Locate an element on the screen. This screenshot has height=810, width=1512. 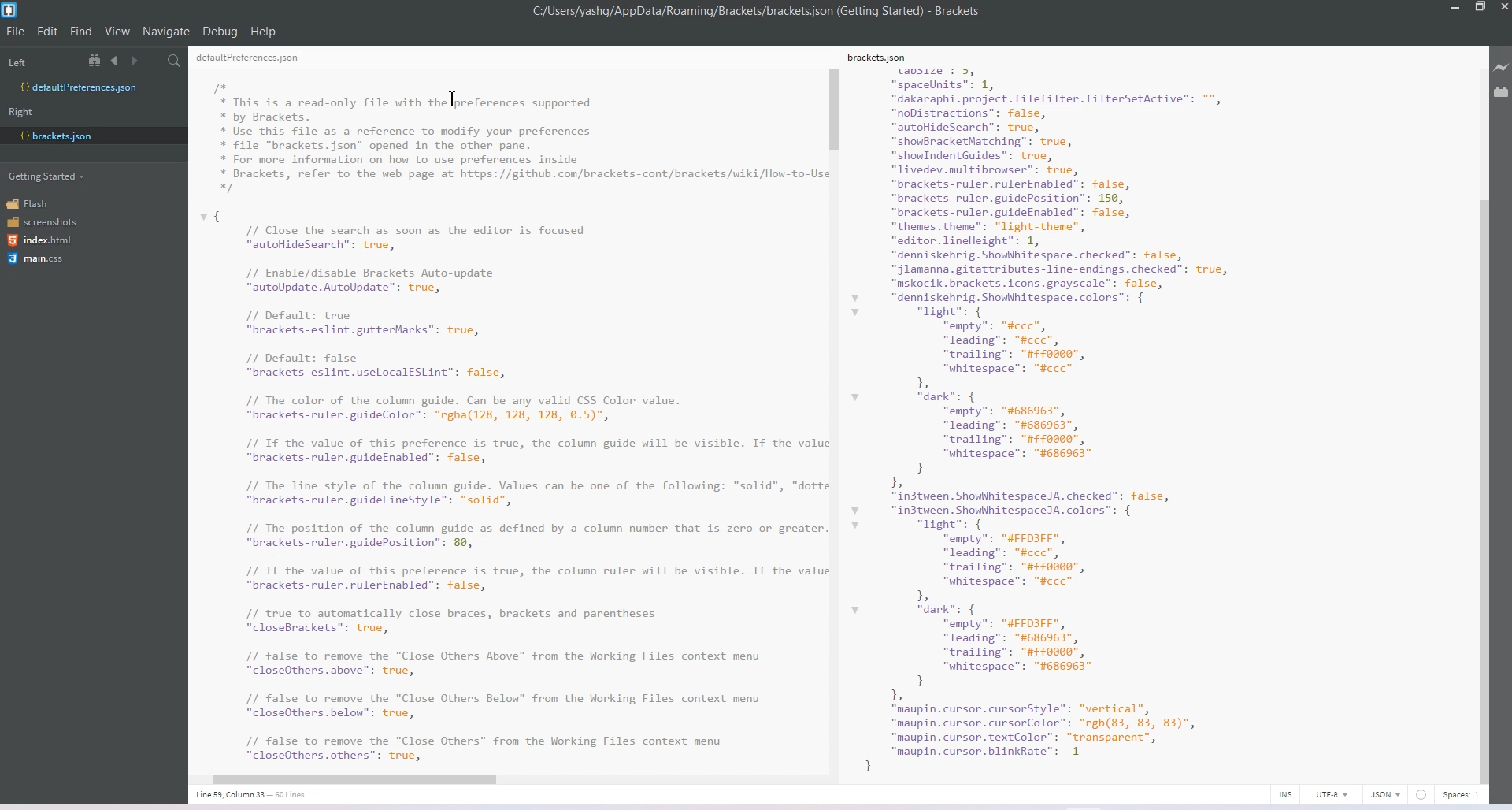
Vertical Scroll Bar is located at coordinates (834, 416).